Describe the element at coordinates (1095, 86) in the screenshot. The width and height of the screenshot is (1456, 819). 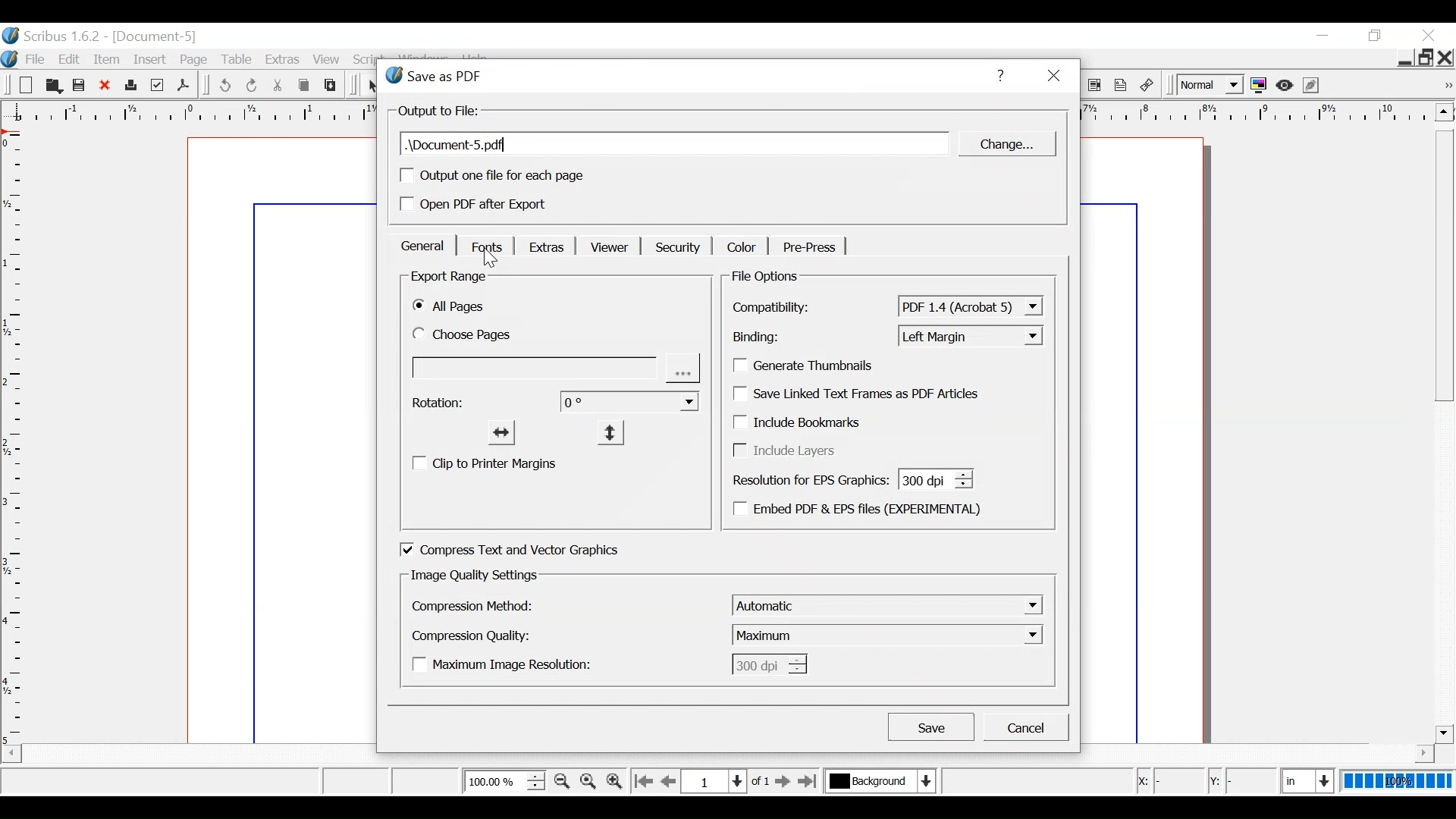
I see `PDF List Box ` at that location.